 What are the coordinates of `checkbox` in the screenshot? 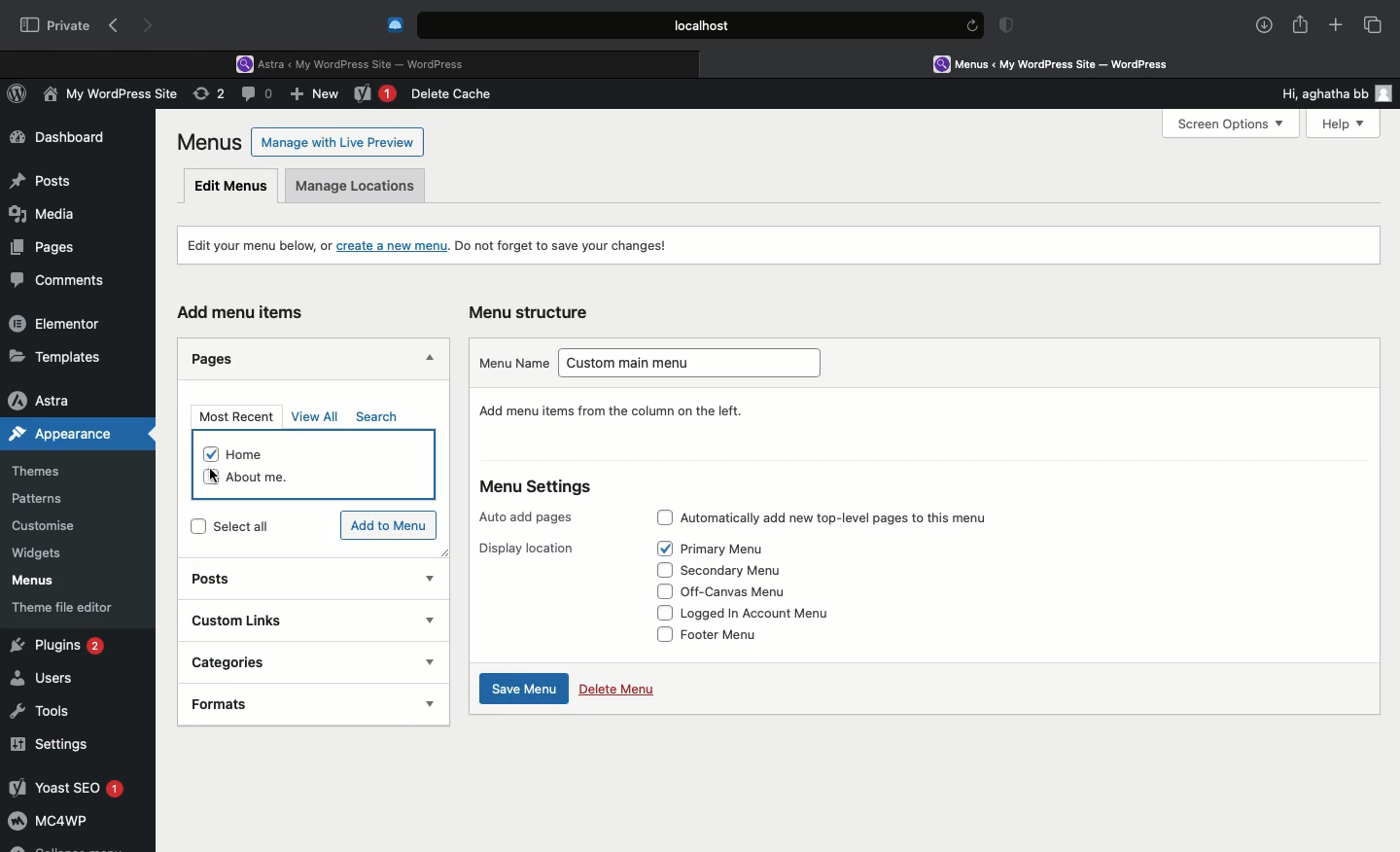 It's located at (209, 478).